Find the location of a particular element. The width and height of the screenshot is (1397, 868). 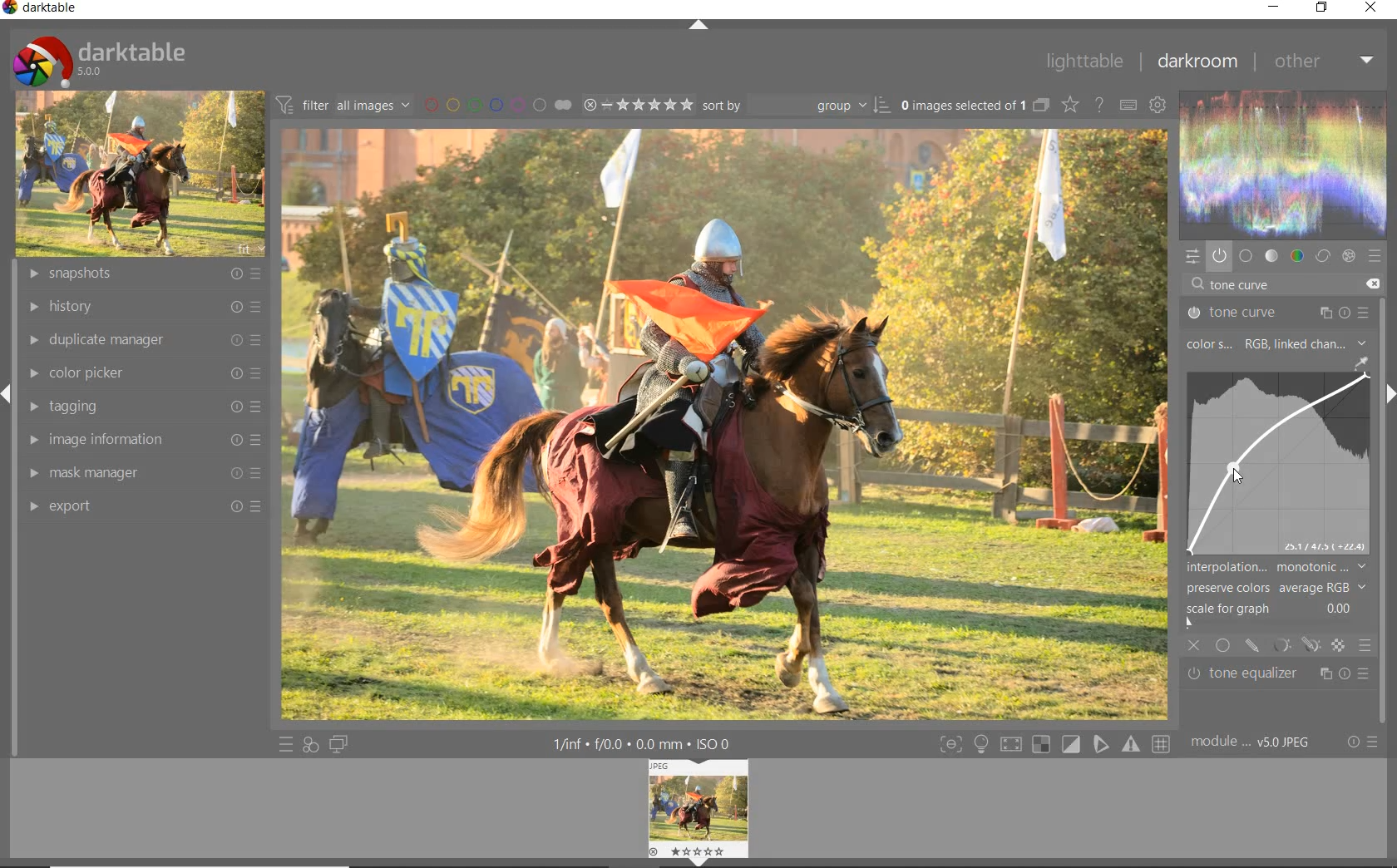

blending options is located at coordinates (1364, 644).